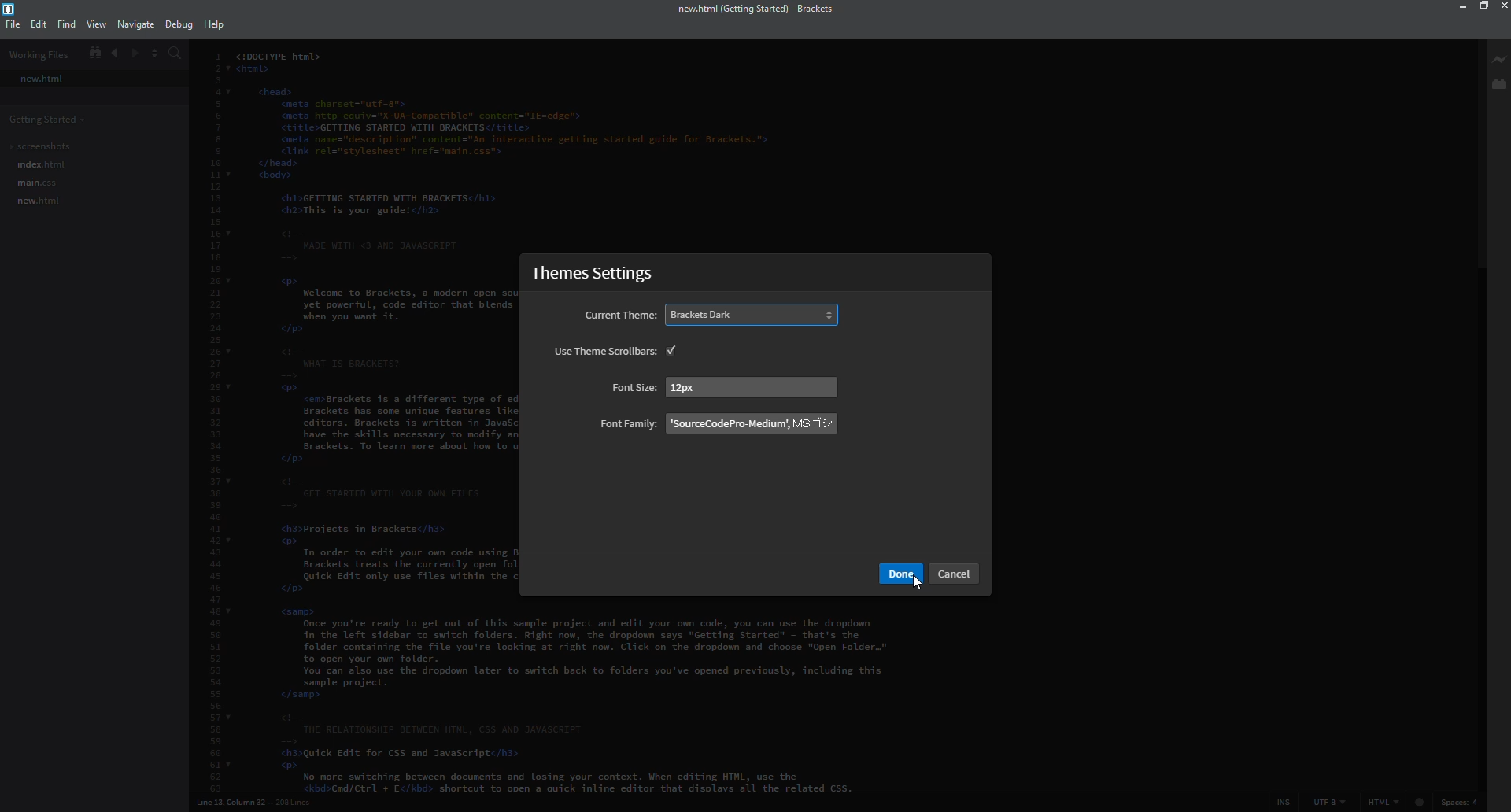 The height and width of the screenshot is (812, 1511). Describe the element at coordinates (753, 10) in the screenshot. I see `brackets` at that location.